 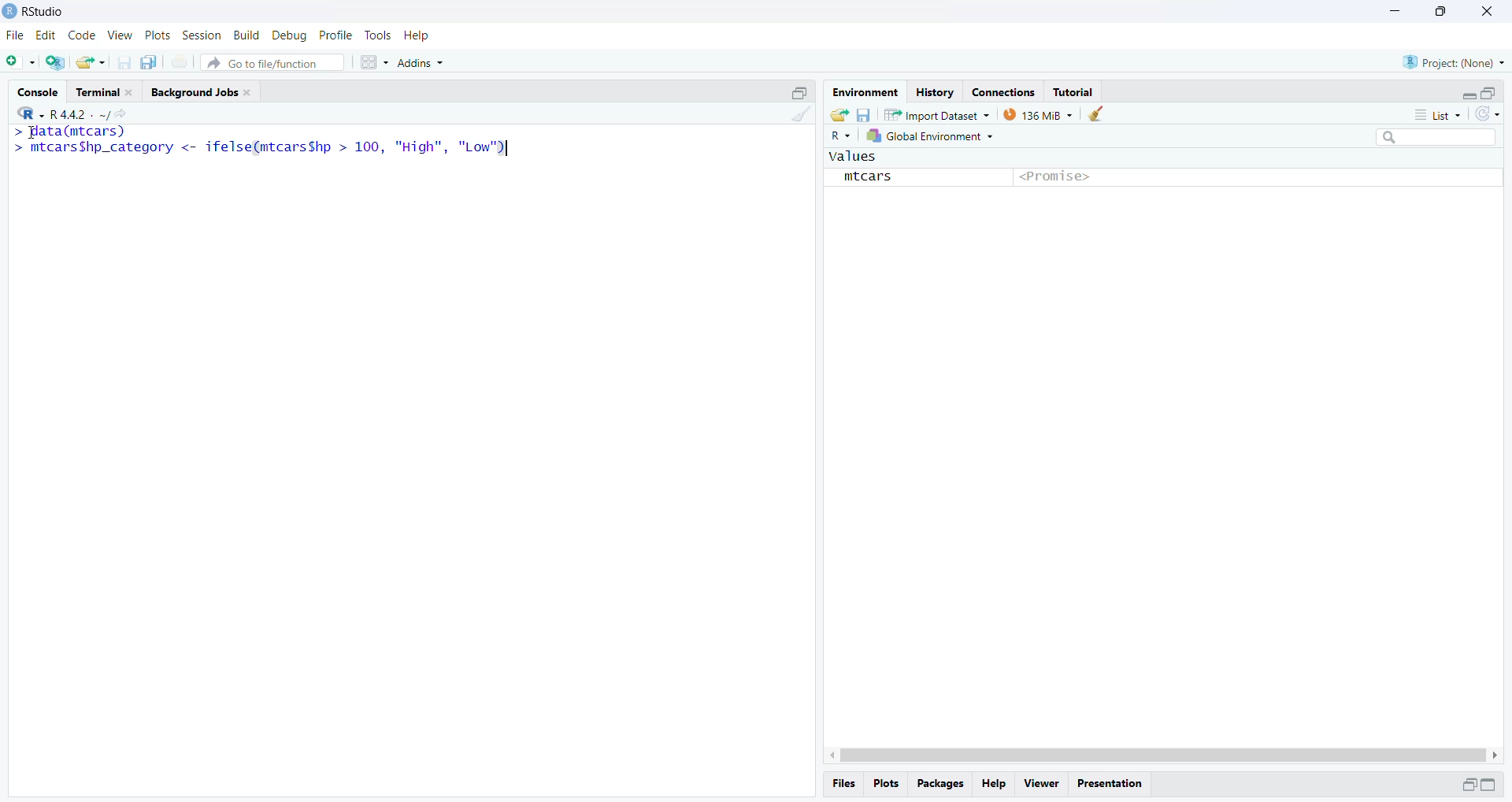 I want to click on Right, so click(x=1497, y=754).